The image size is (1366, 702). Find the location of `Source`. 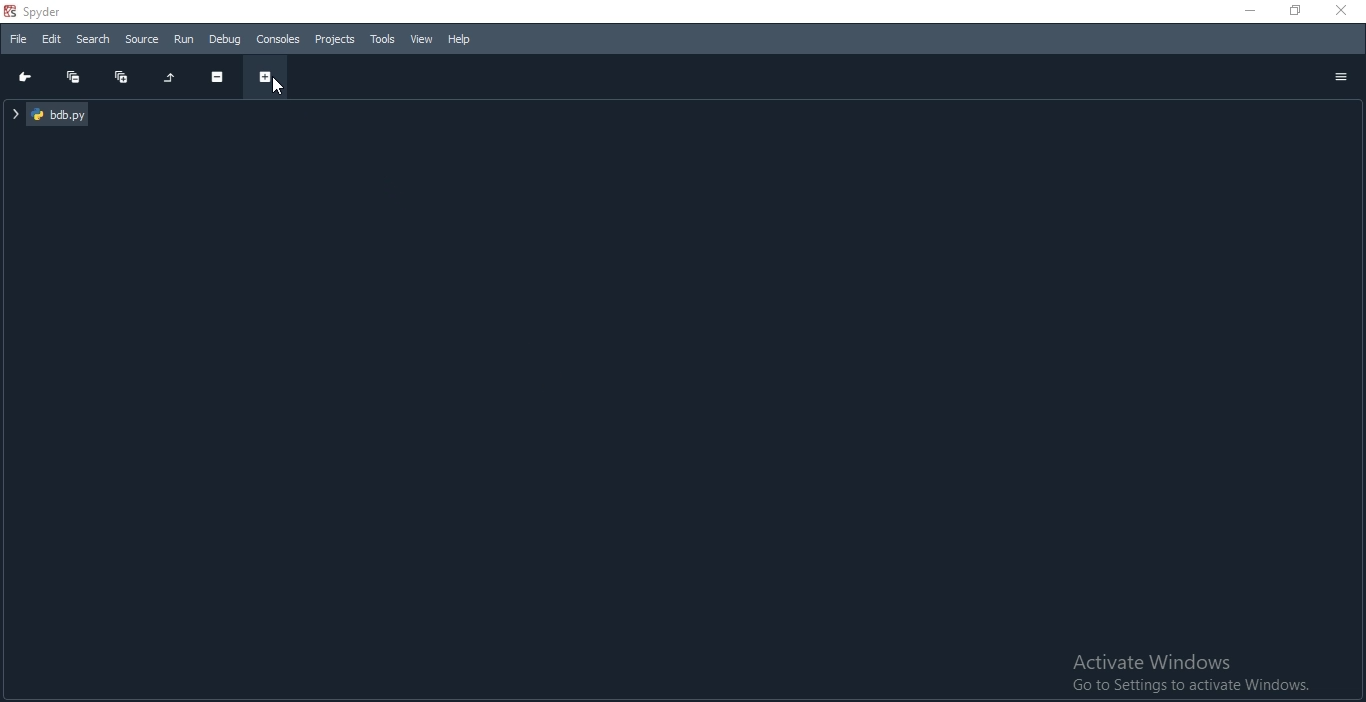

Source is located at coordinates (142, 40).